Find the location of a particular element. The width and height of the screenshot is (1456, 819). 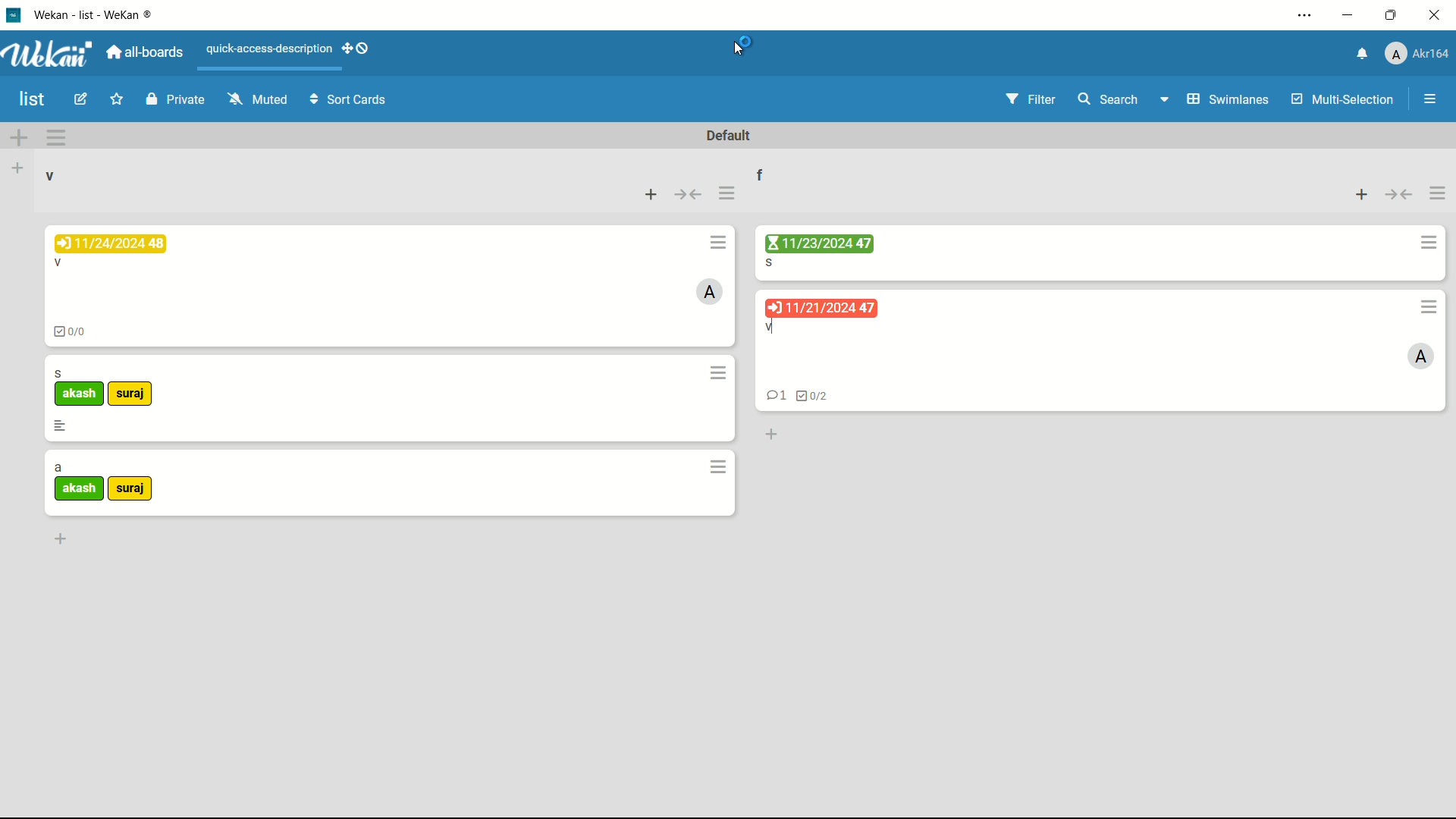

card actions is located at coordinates (720, 467).